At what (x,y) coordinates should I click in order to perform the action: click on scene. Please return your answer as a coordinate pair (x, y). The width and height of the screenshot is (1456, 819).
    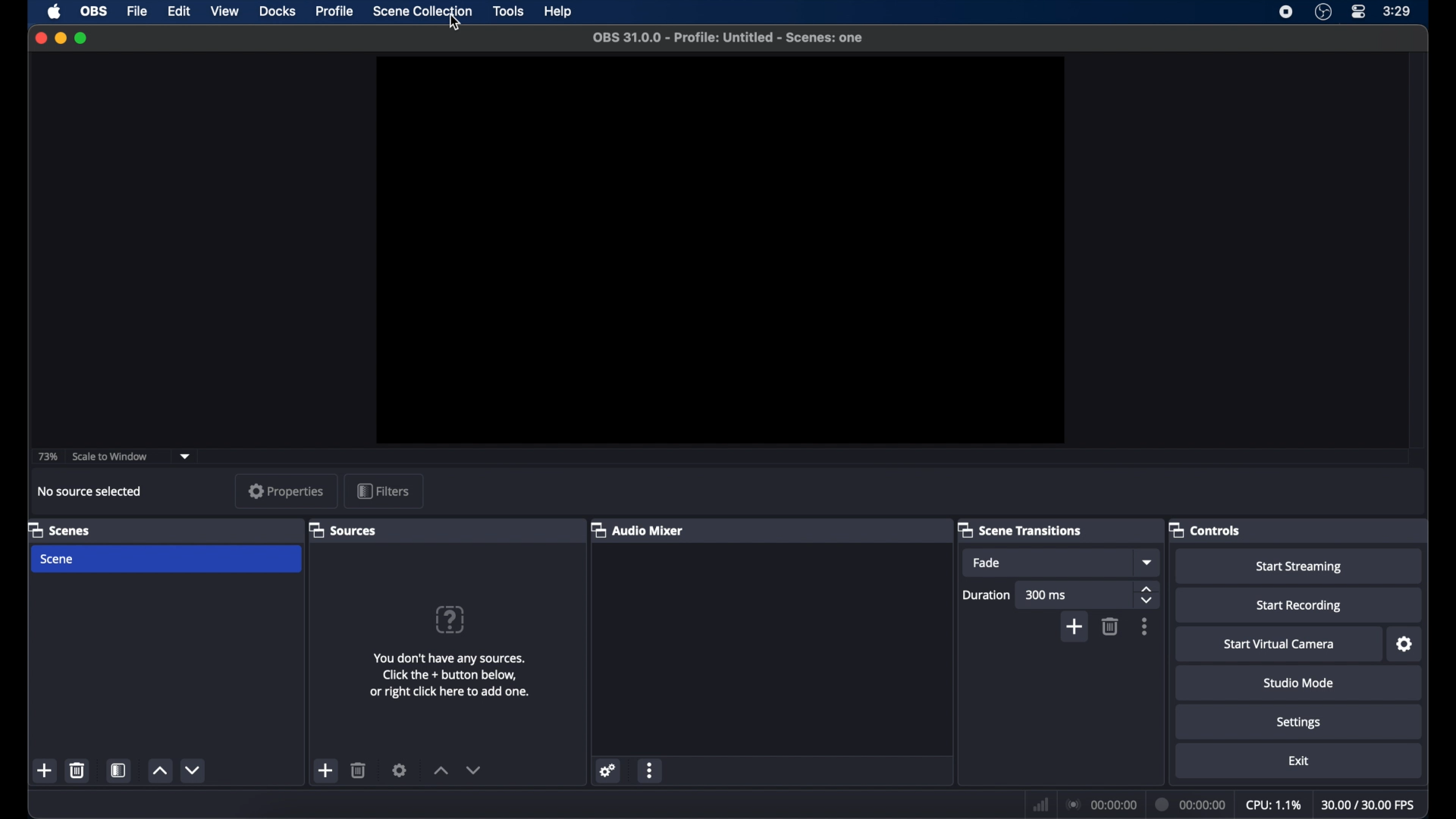
    Looking at the image, I should click on (58, 559).